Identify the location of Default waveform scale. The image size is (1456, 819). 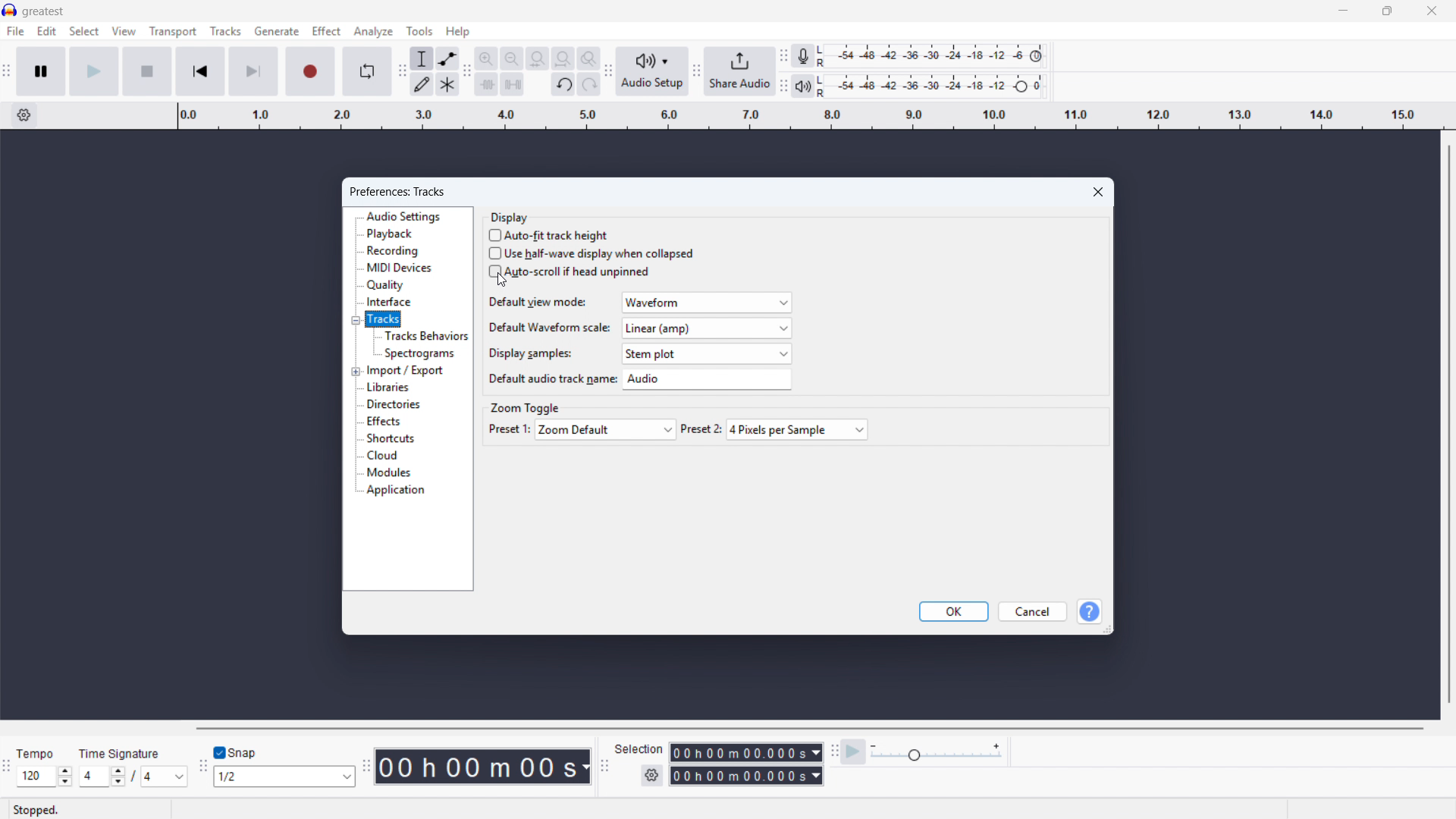
(548, 325).